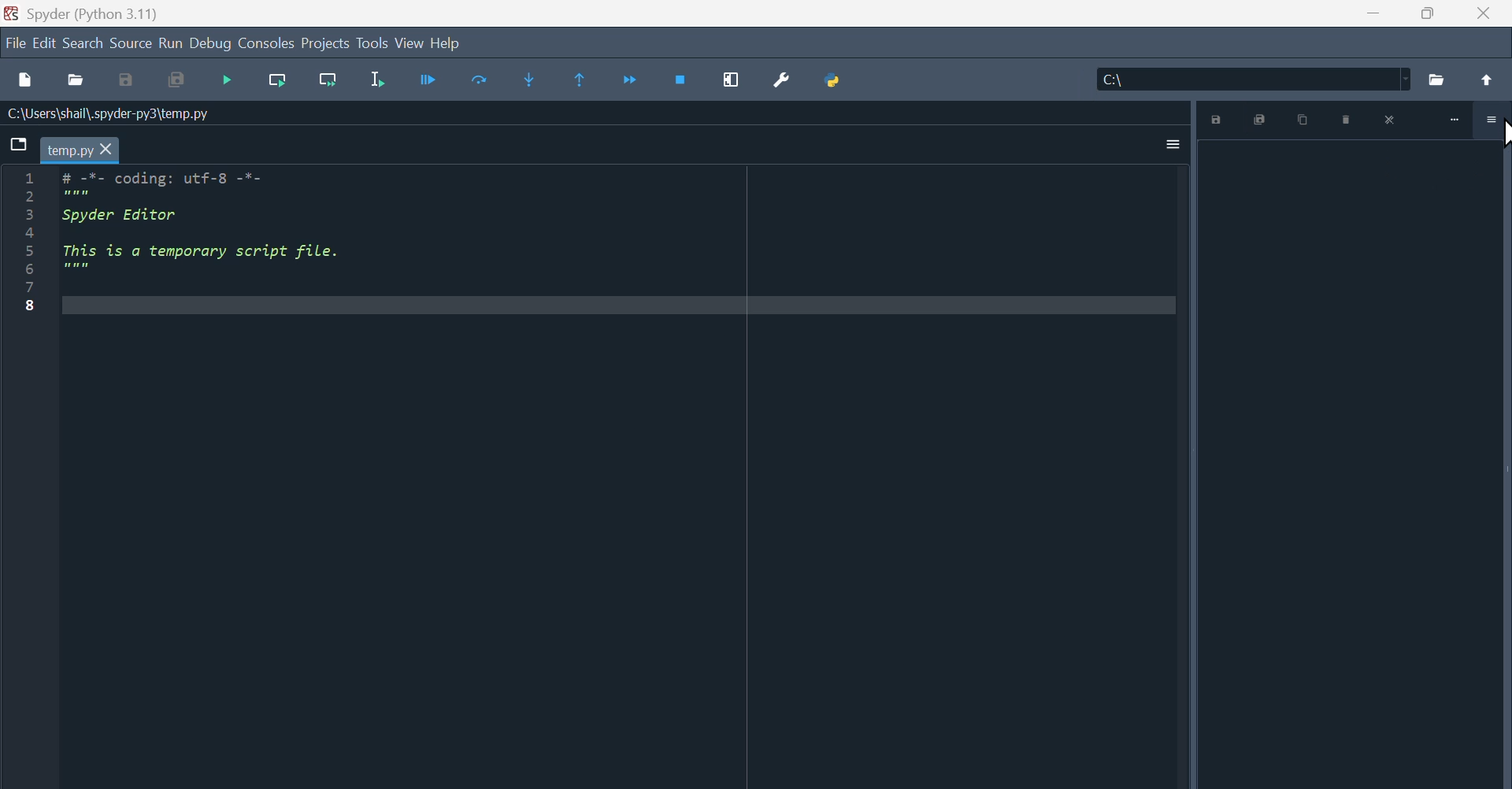  What do you see at coordinates (173, 79) in the screenshot?
I see `save all` at bounding box center [173, 79].